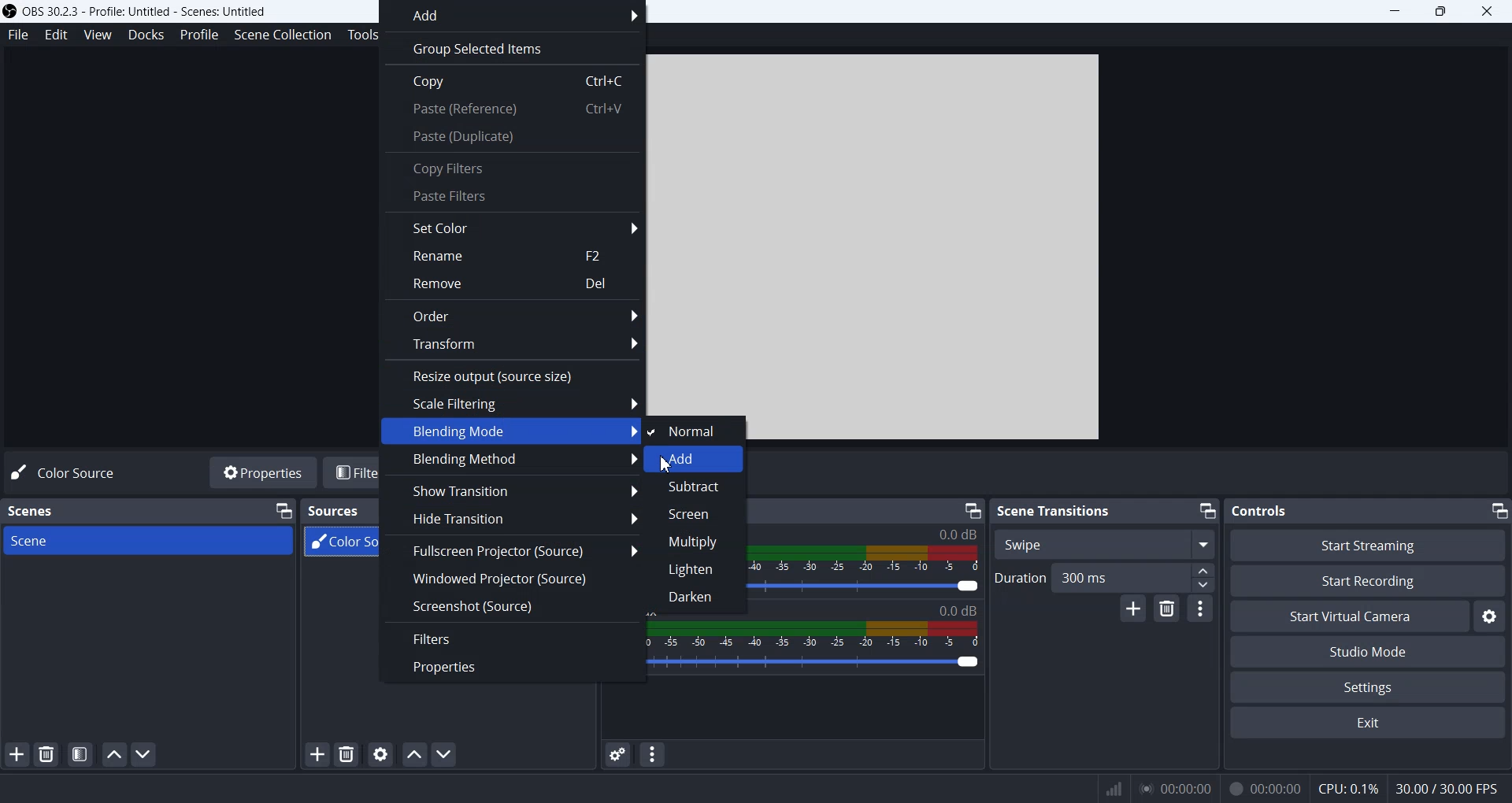  I want to click on Start Streaming, so click(1367, 545).